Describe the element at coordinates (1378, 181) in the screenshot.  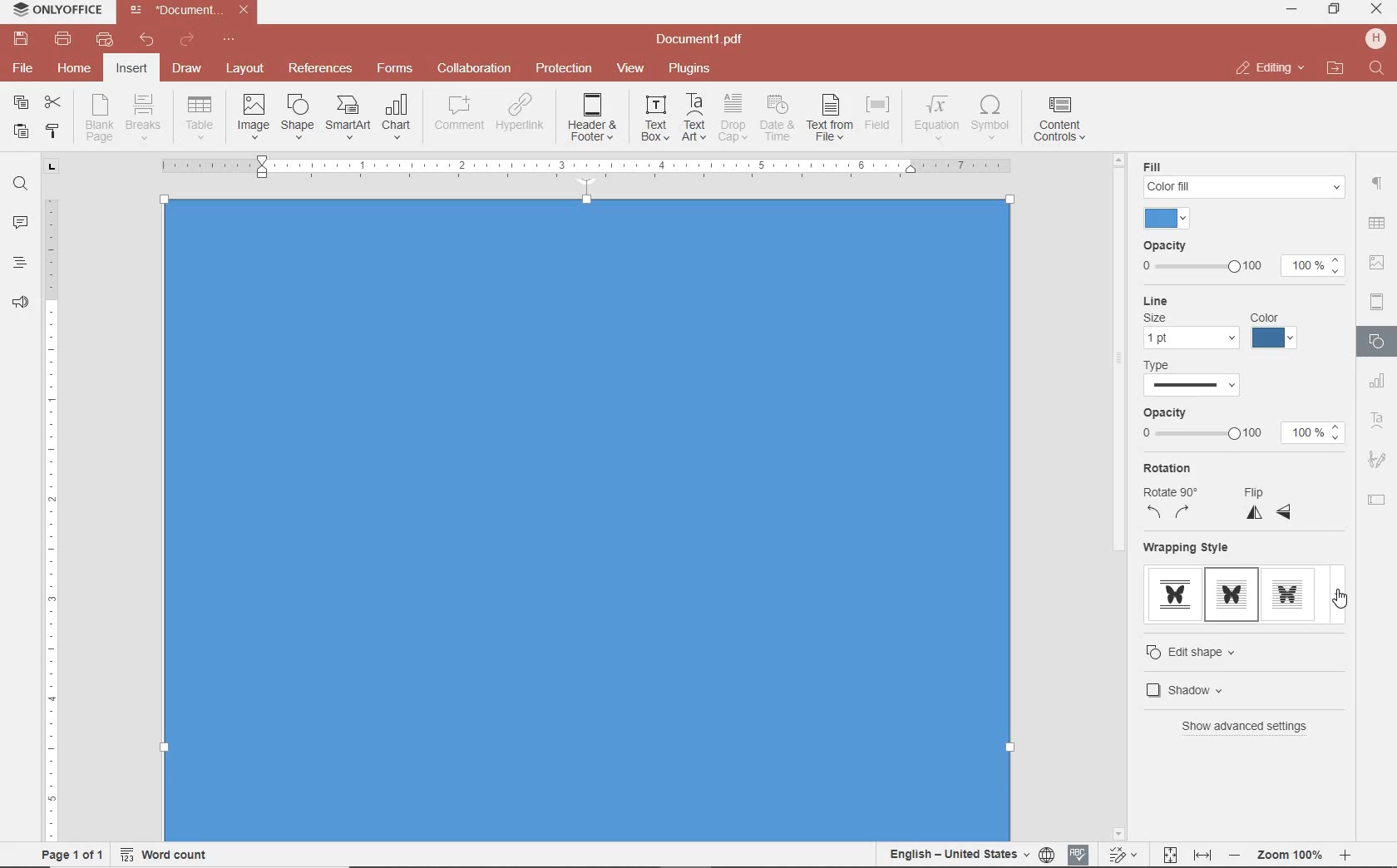
I see `paragraph setting` at that location.